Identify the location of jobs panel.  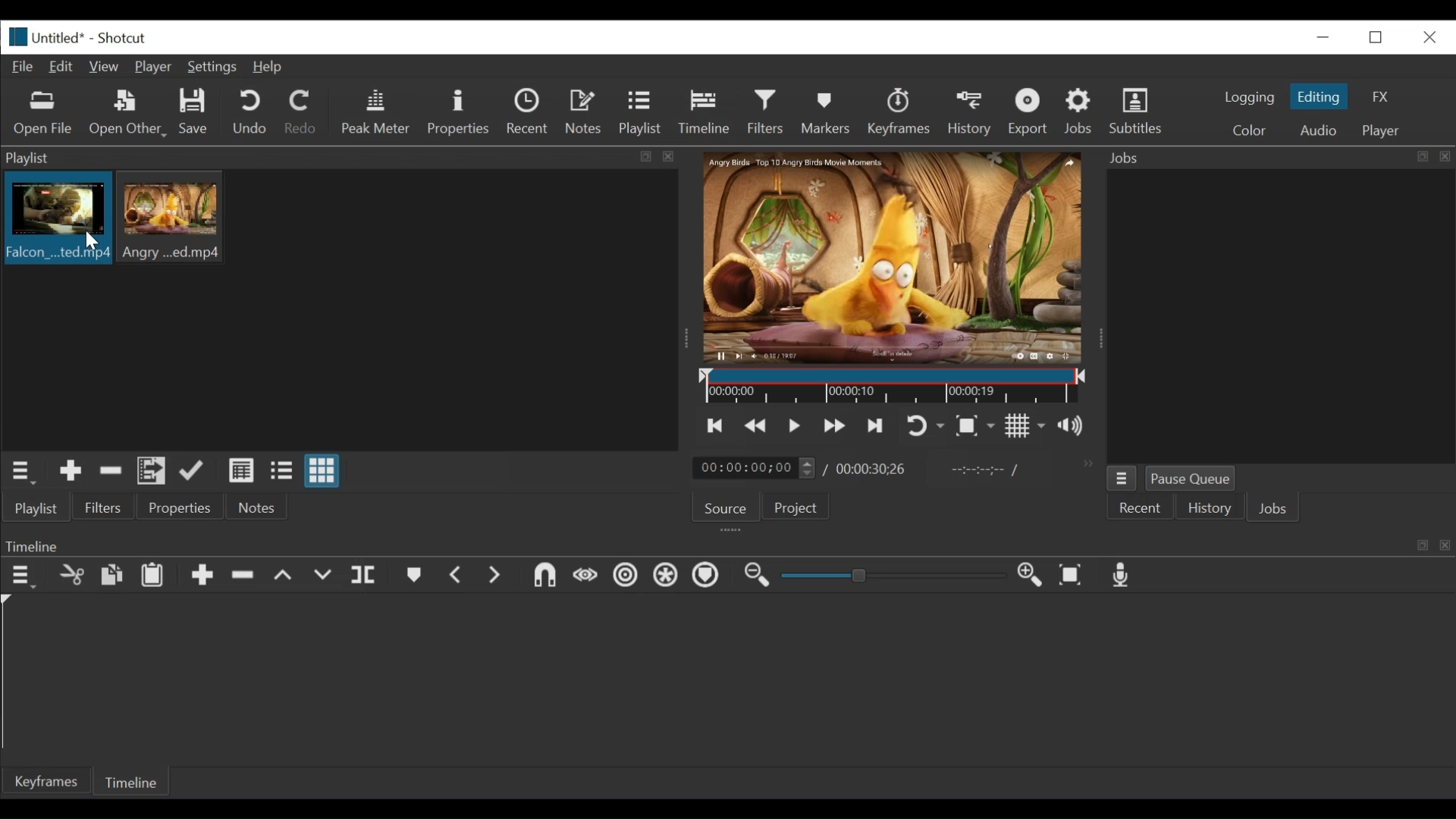
(1280, 315).